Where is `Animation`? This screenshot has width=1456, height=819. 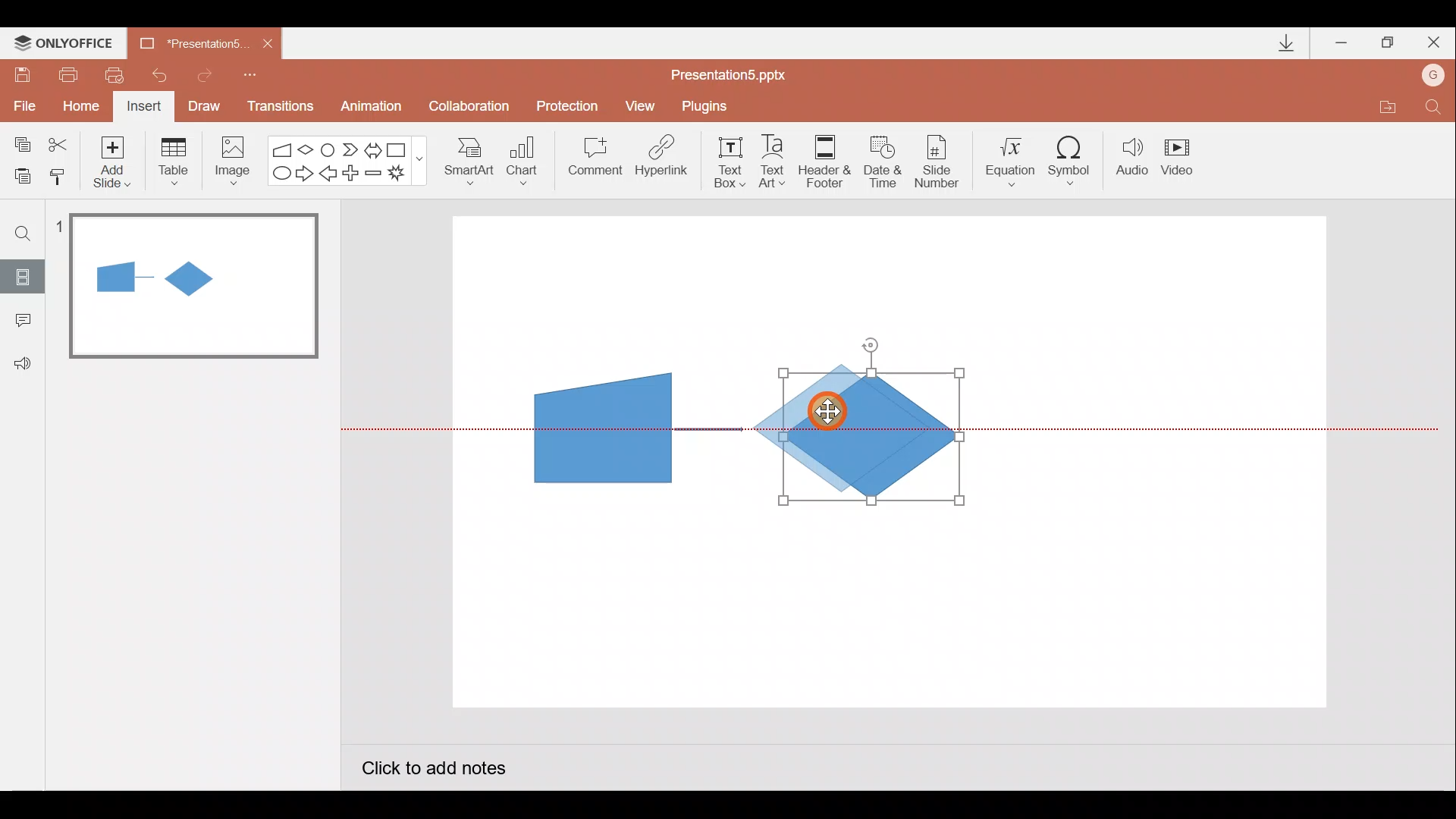 Animation is located at coordinates (373, 108).